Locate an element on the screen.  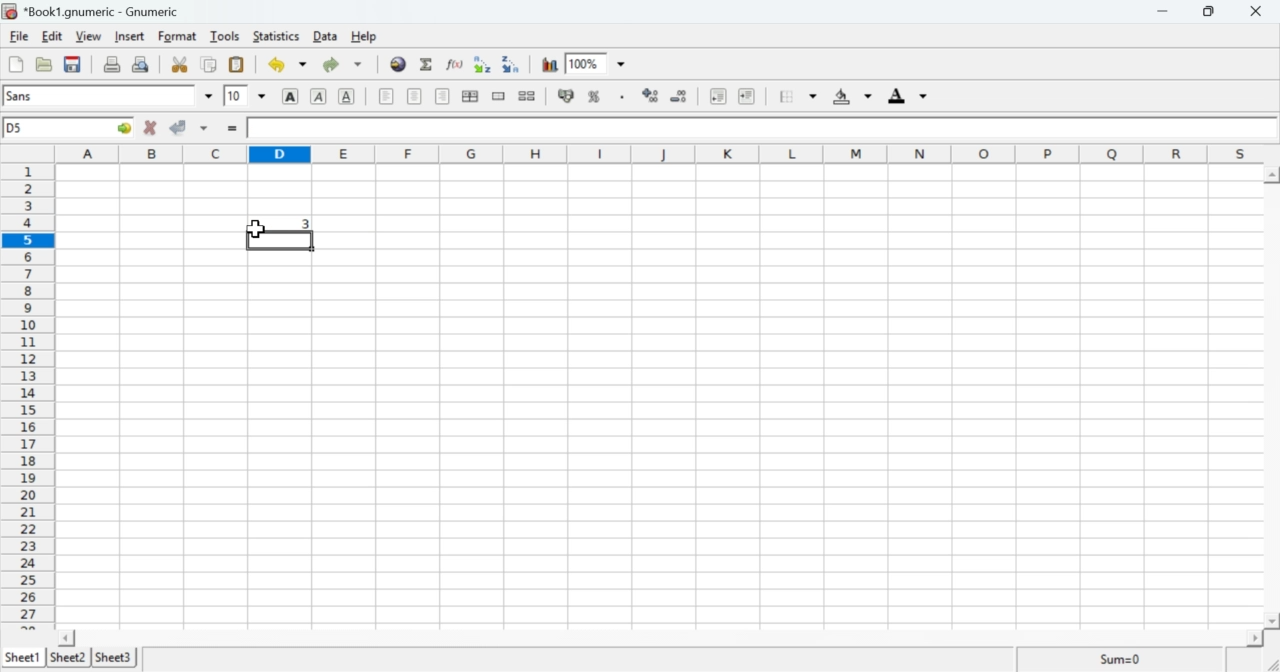
Insert hyperlink is located at coordinates (399, 64).